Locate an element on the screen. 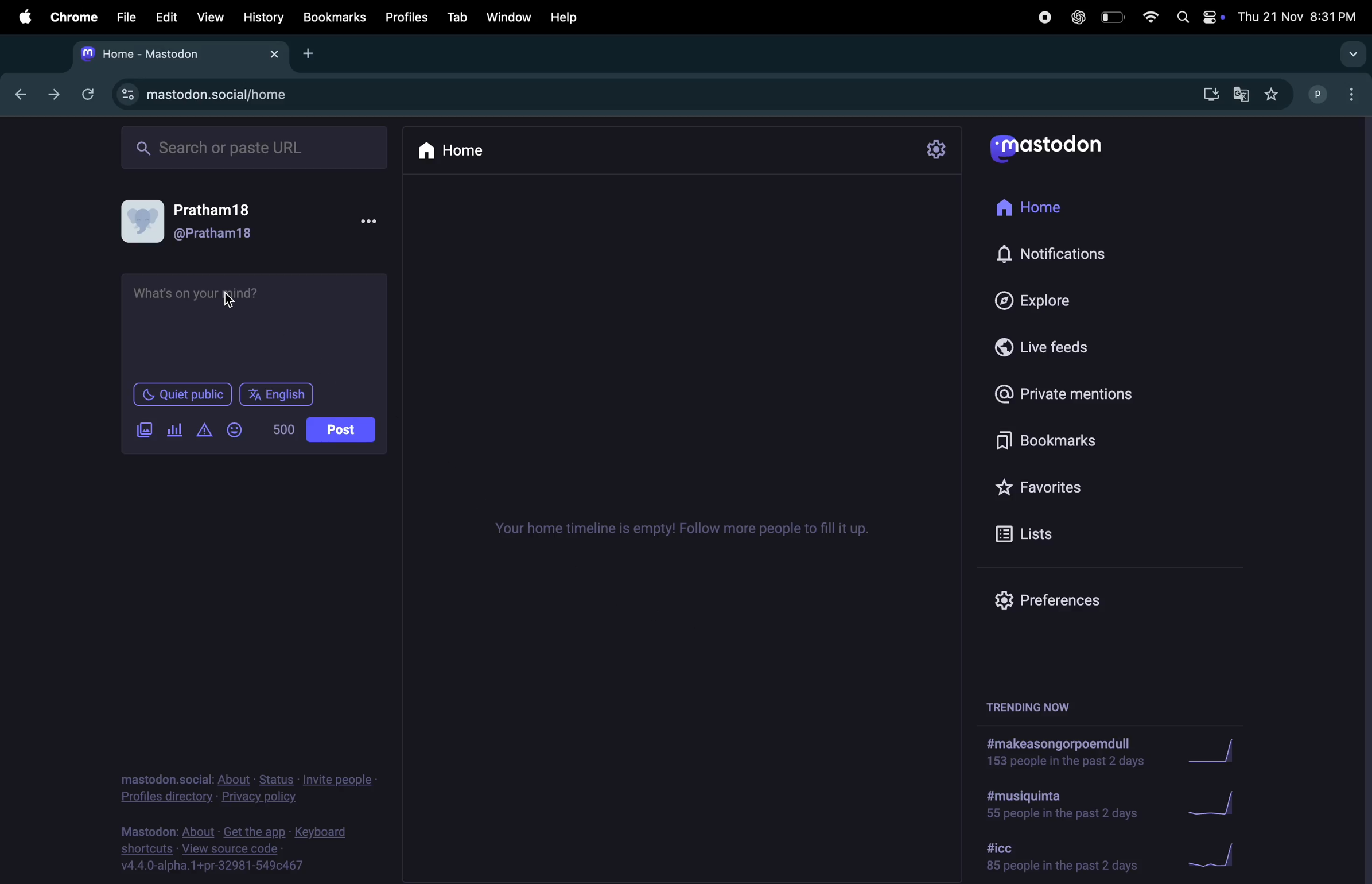  record is located at coordinates (1040, 15).